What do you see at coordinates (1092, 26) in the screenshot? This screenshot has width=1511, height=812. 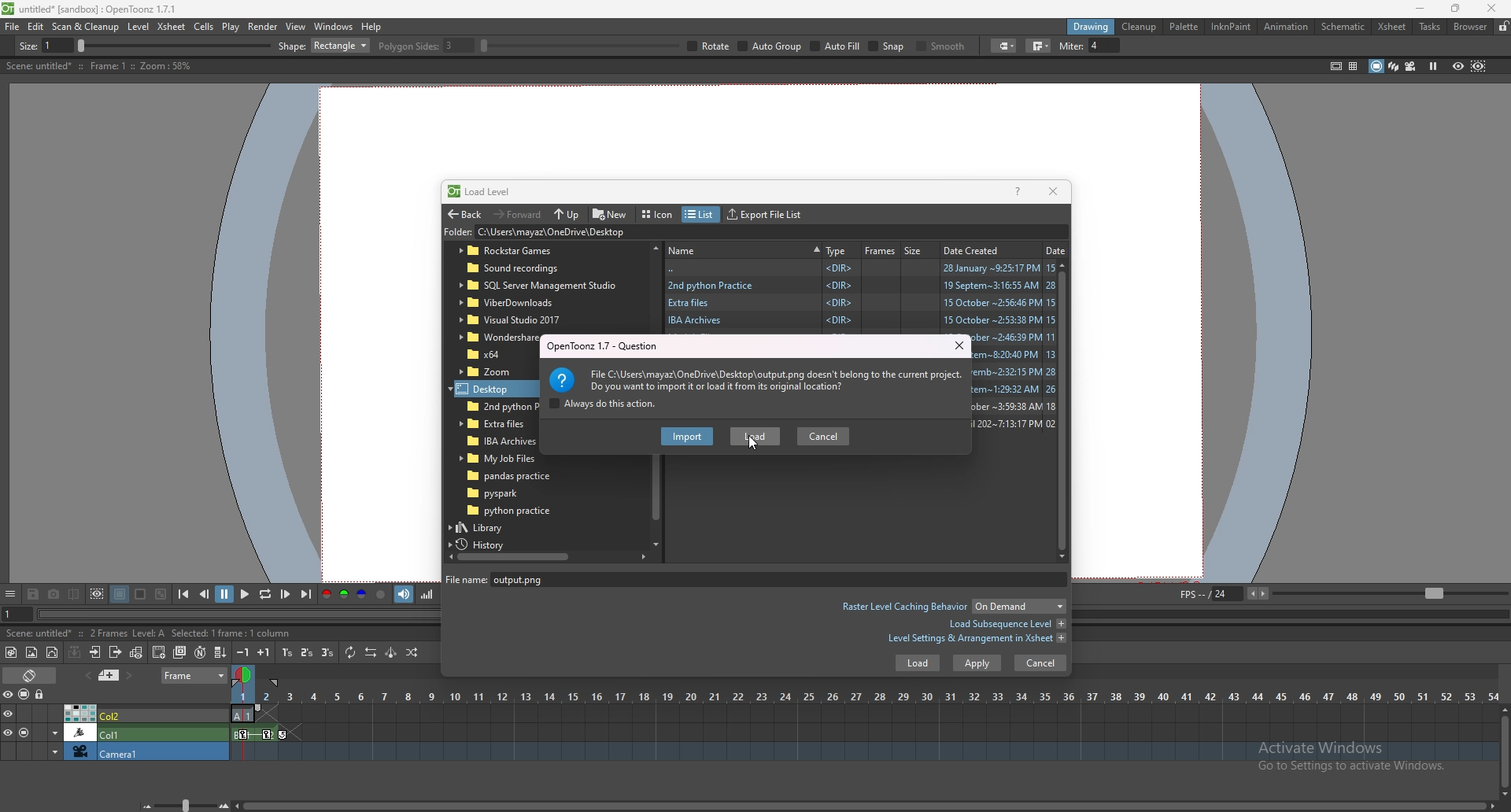 I see `drawing` at bounding box center [1092, 26].